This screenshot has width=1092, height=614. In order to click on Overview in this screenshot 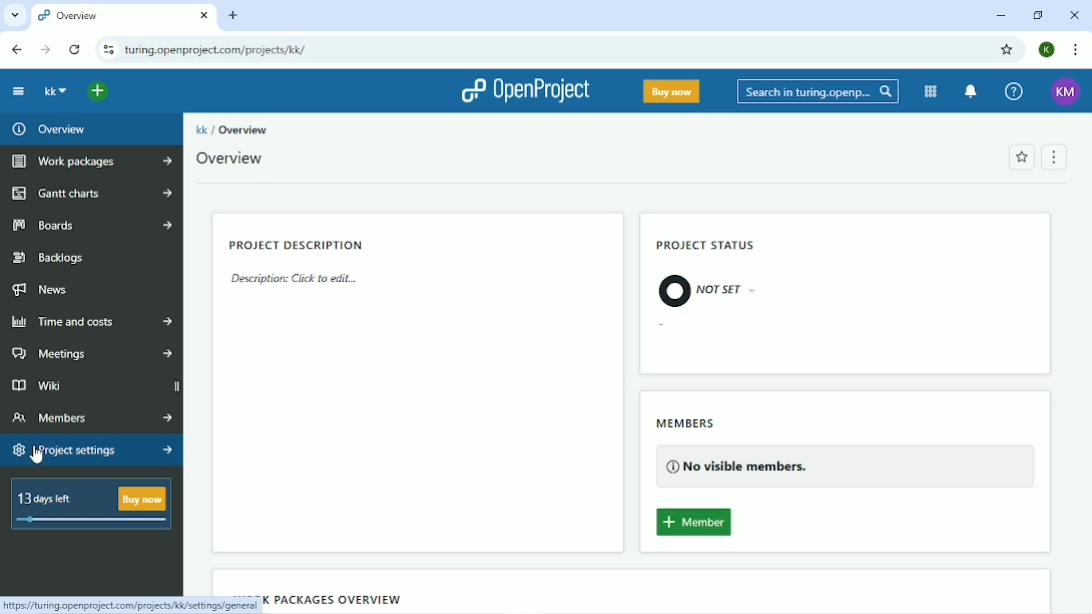, I will do `click(67, 16)`.